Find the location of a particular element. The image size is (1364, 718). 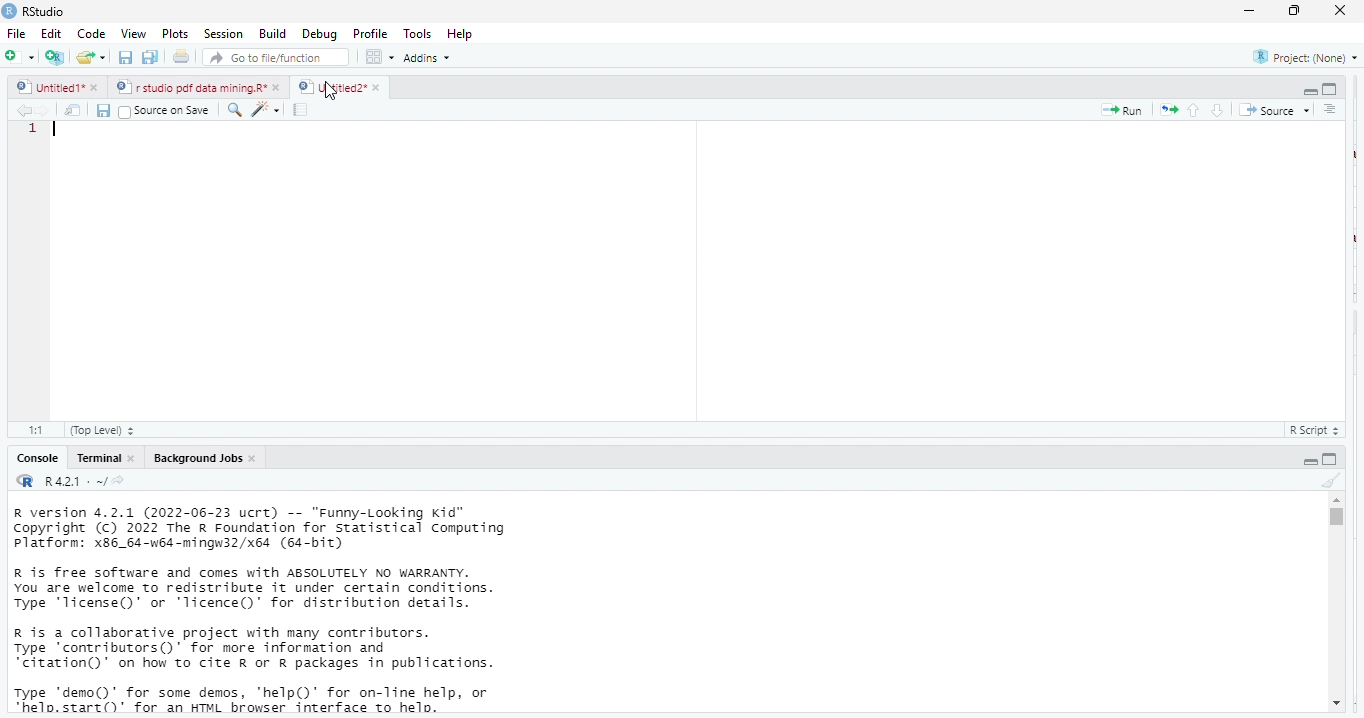

compile report is located at coordinates (303, 110).